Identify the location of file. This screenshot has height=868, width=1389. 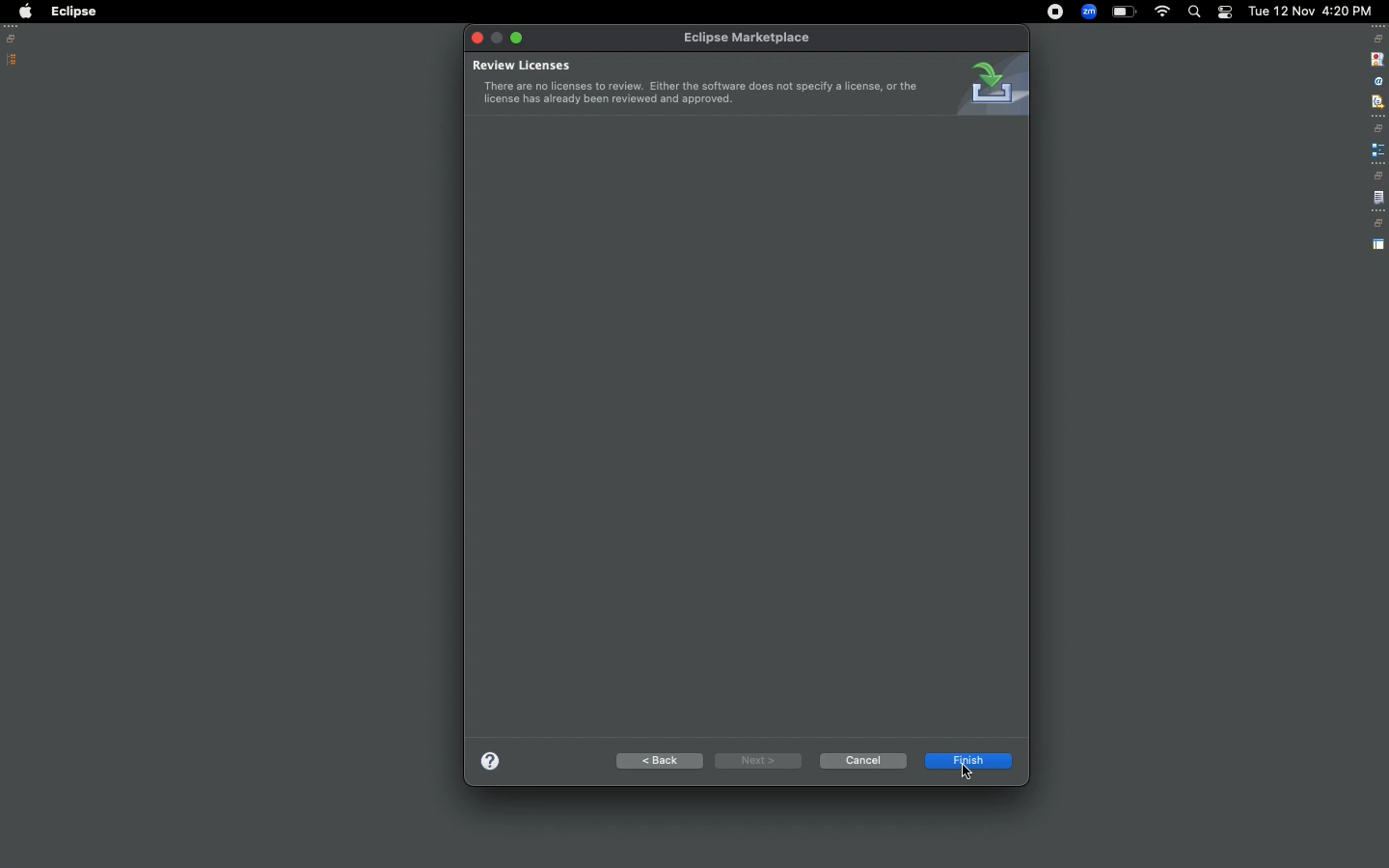
(1378, 199).